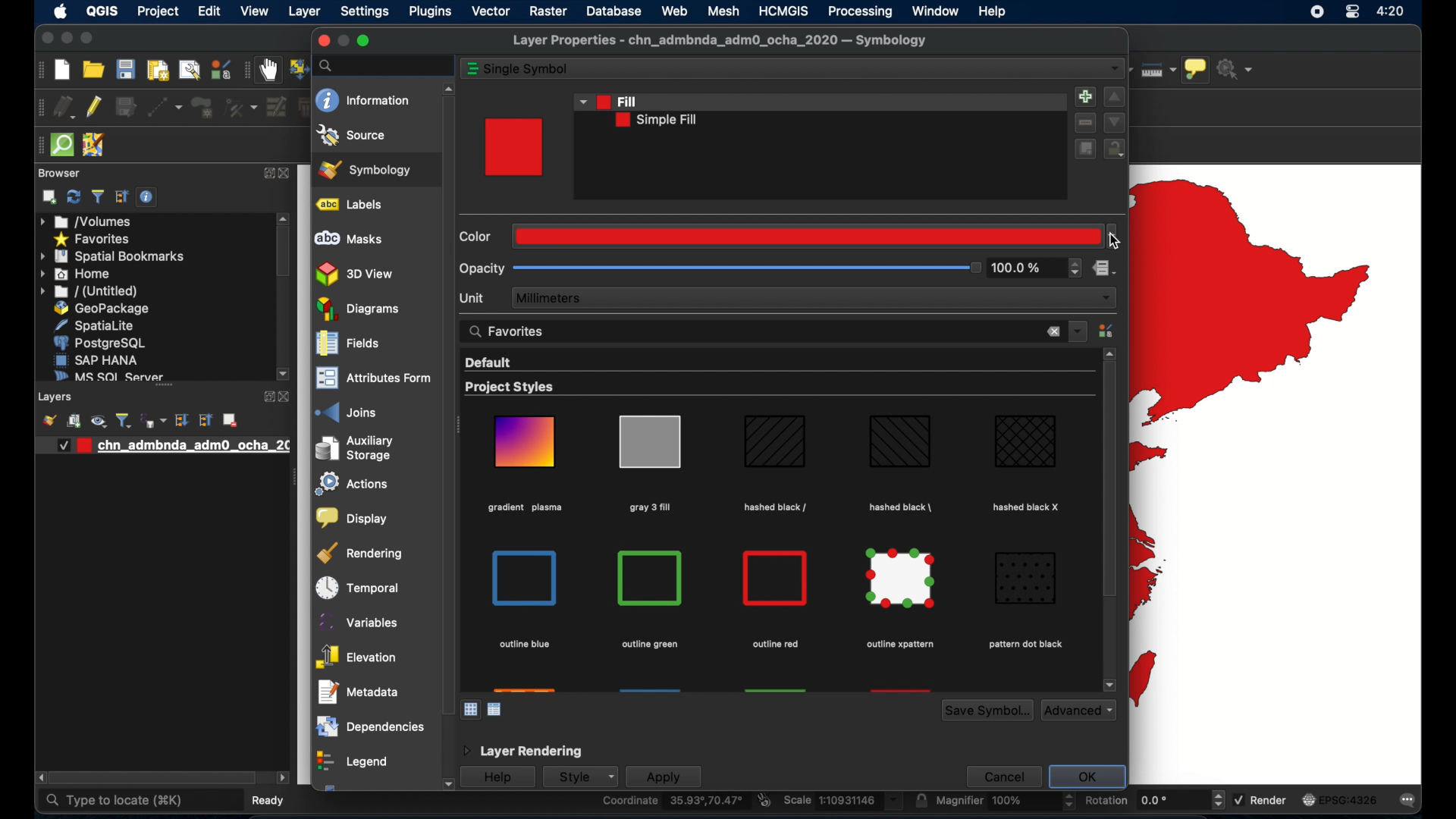  Describe the element at coordinates (496, 710) in the screenshot. I see `list view` at that location.